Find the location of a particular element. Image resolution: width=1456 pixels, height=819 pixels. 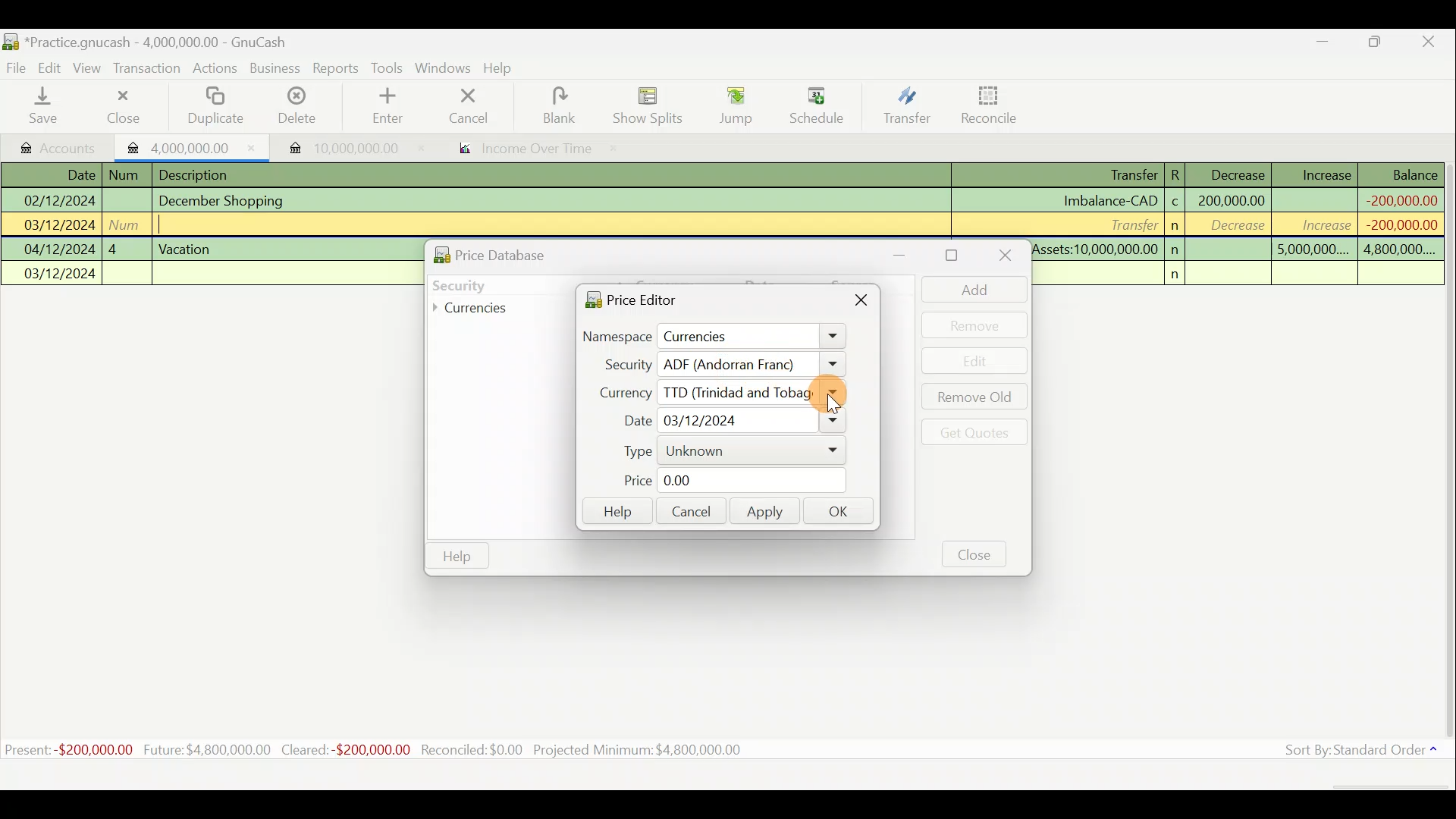

Windows is located at coordinates (443, 68).